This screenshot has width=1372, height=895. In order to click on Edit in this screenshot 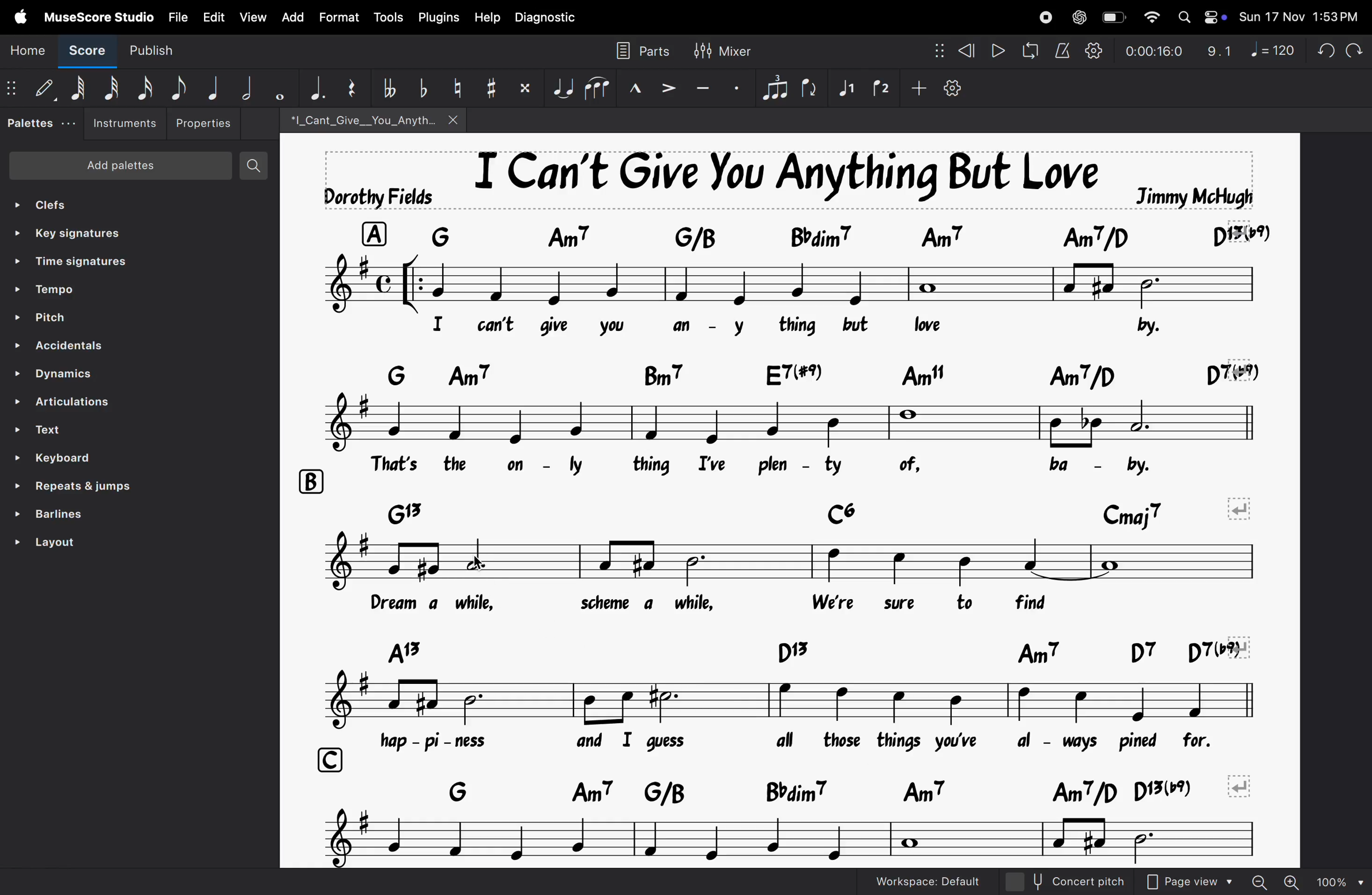, I will do `click(214, 16)`.